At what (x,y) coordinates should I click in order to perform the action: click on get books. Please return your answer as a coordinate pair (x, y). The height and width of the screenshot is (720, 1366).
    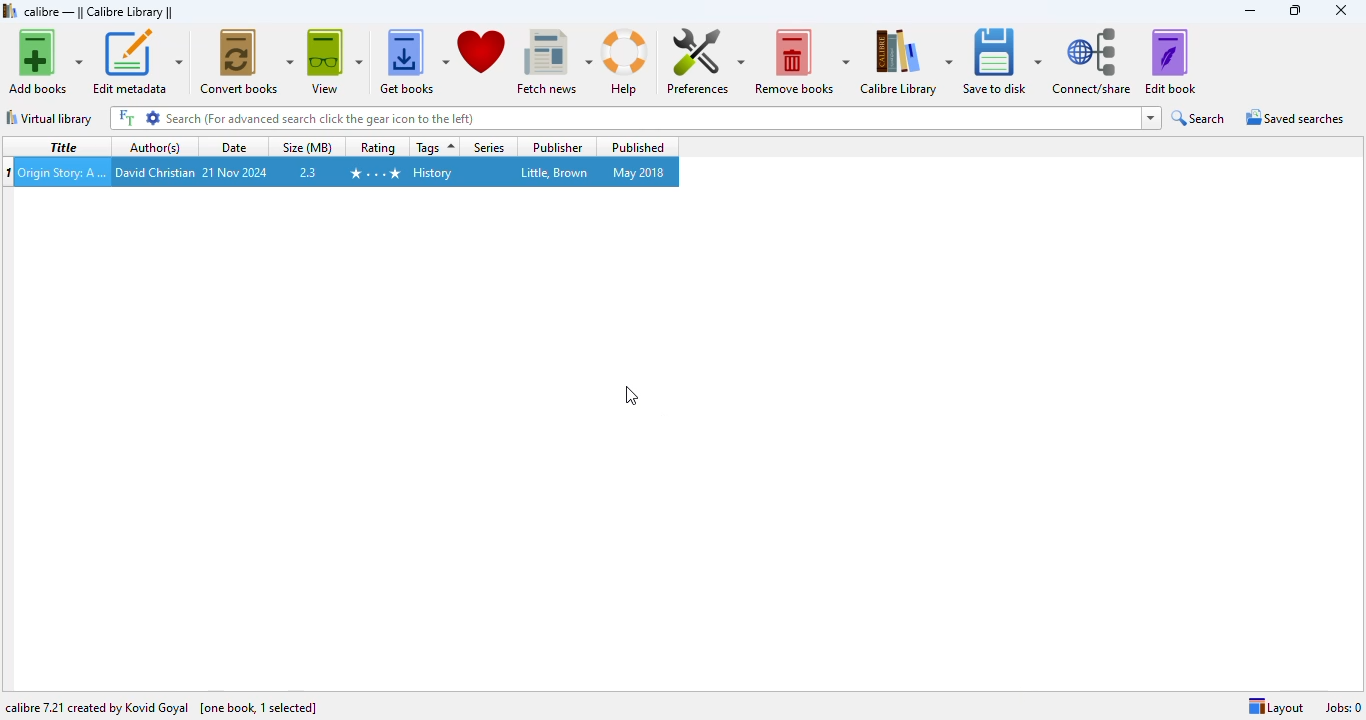
    Looking at the image, I should click on (412, 60).